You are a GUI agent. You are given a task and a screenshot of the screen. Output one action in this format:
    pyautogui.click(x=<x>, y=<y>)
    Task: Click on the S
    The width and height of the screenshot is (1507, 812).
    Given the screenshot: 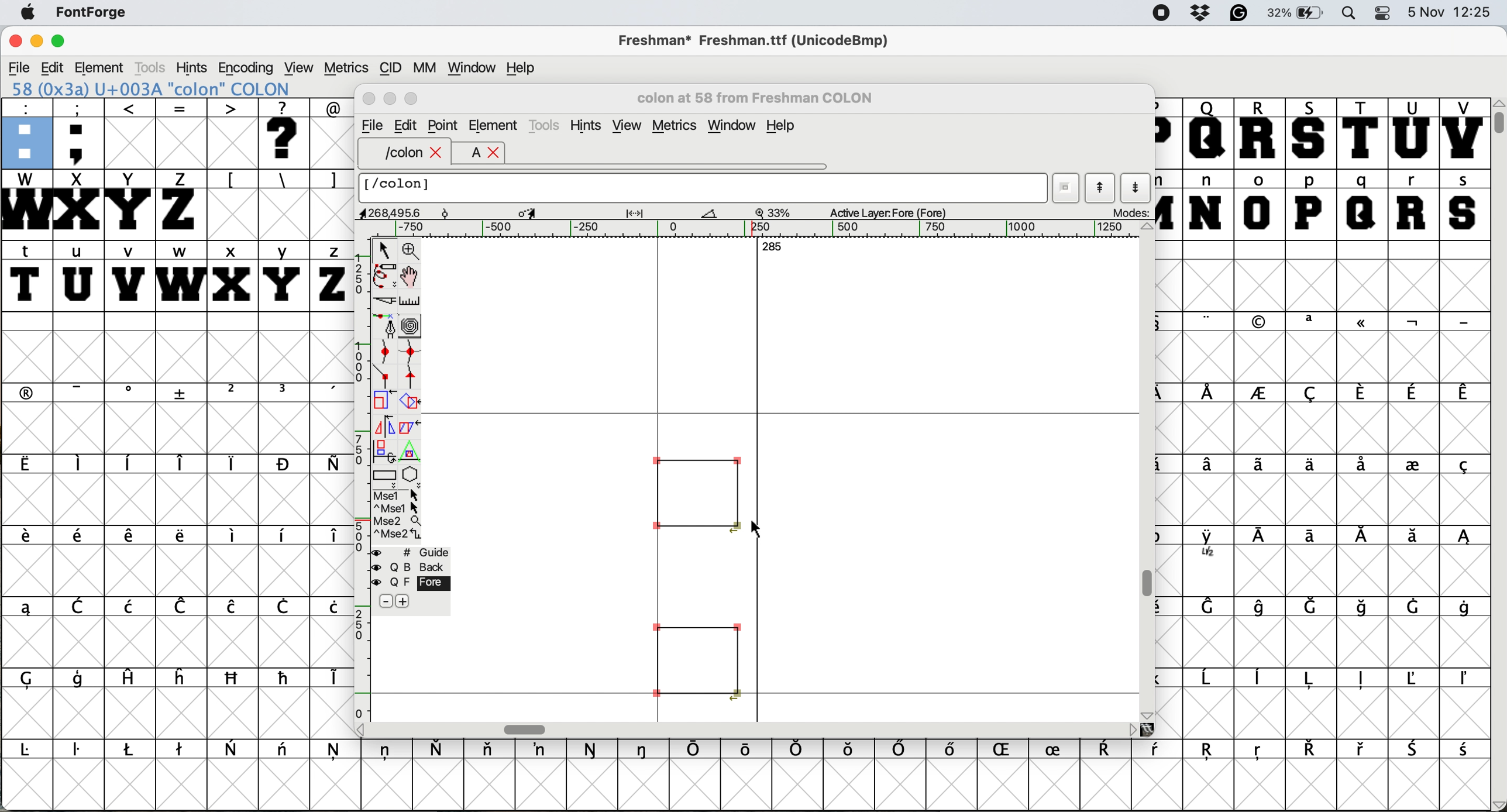 What is the action you would take?
    pyautogui.click(x=1312, y=133)
    